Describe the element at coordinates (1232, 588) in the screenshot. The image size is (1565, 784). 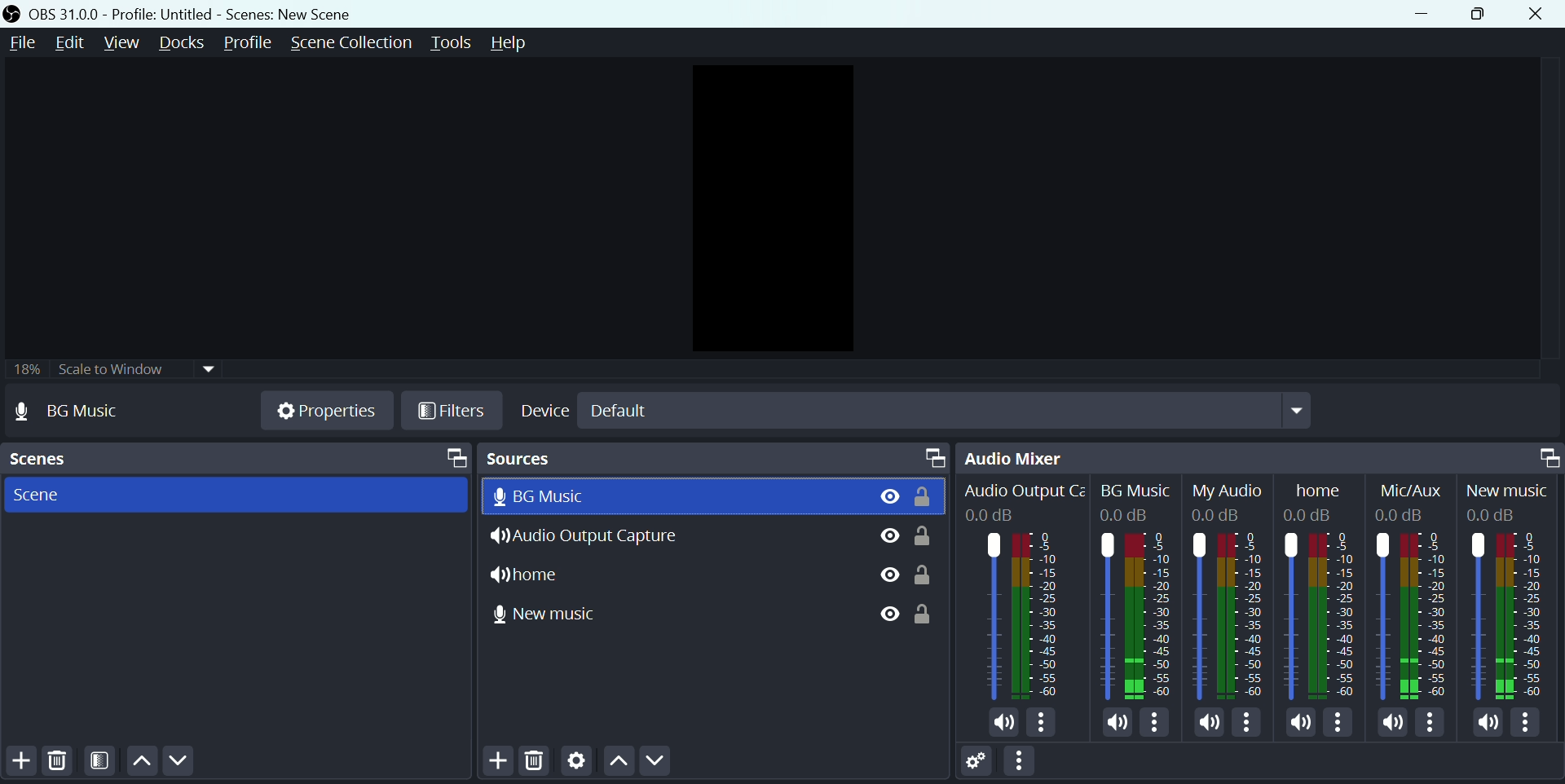
I see `My Audio` at that location.